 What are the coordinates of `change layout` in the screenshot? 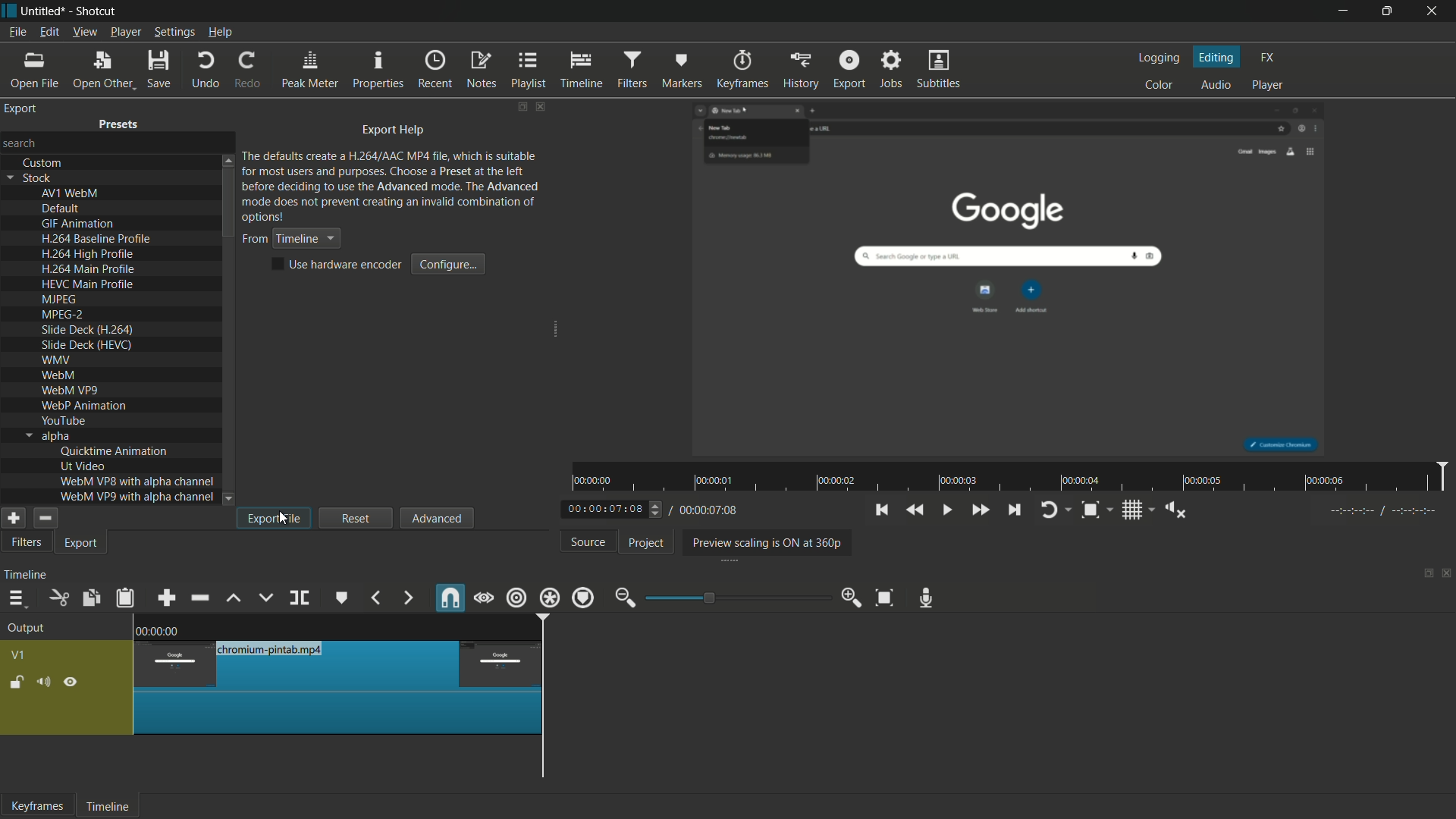 It's located at (520, 108).